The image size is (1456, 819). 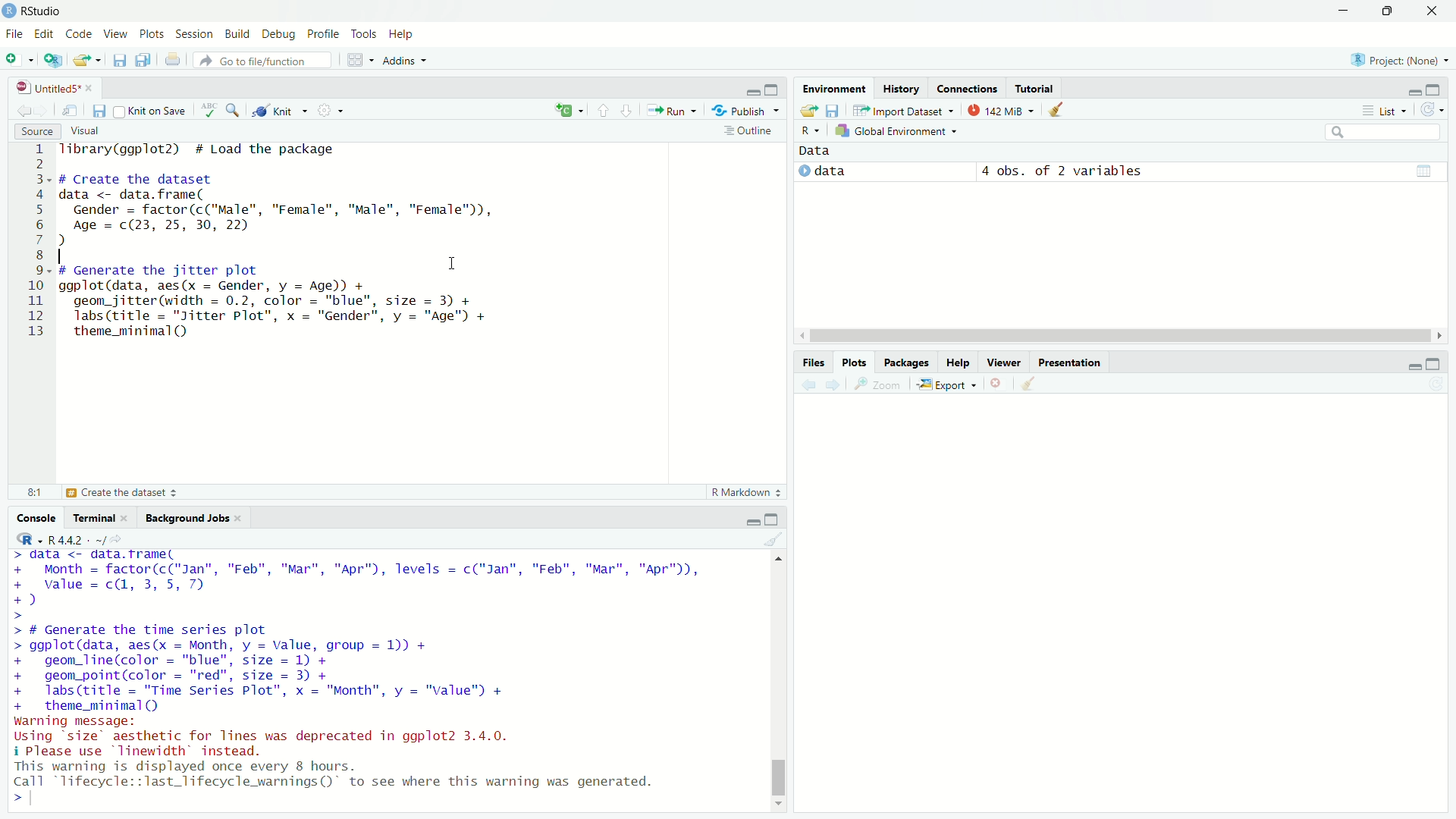 I want to click on serial number, so click(x=34, y=243).